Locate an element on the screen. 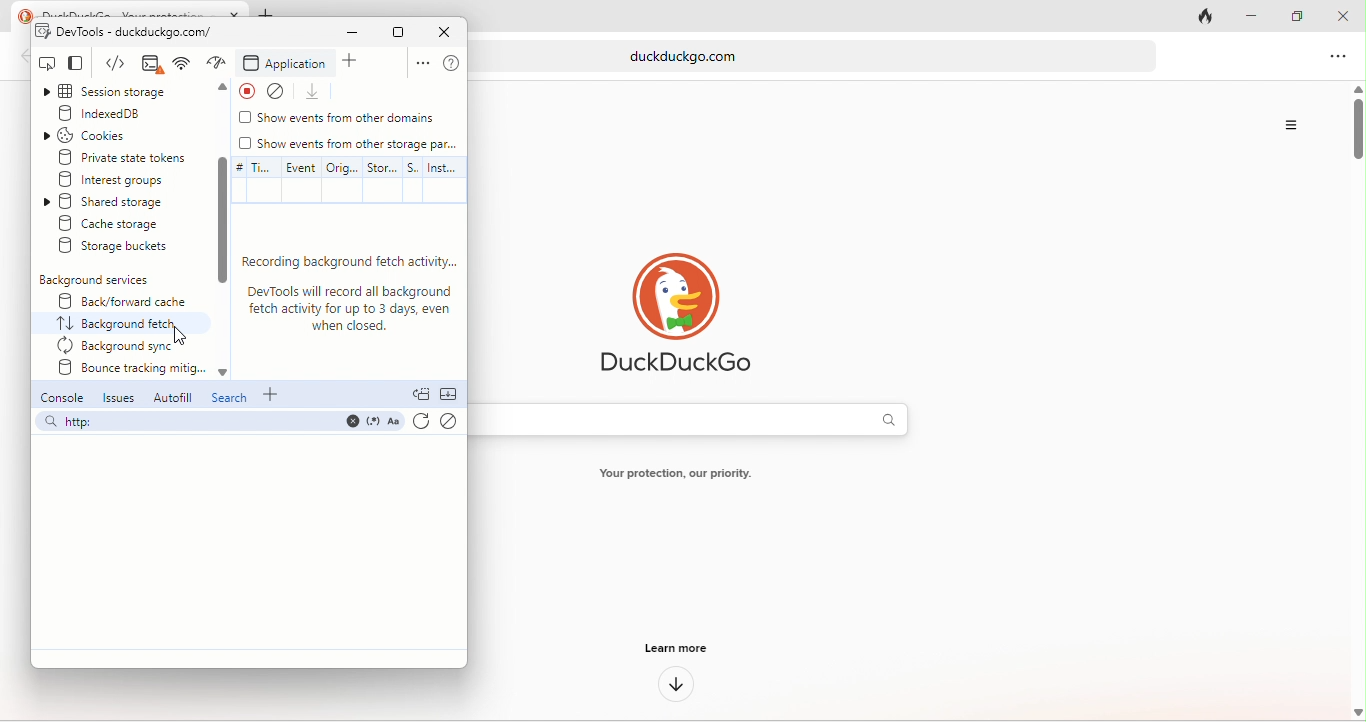  back/forward cache is located at coordinates (117, 301).